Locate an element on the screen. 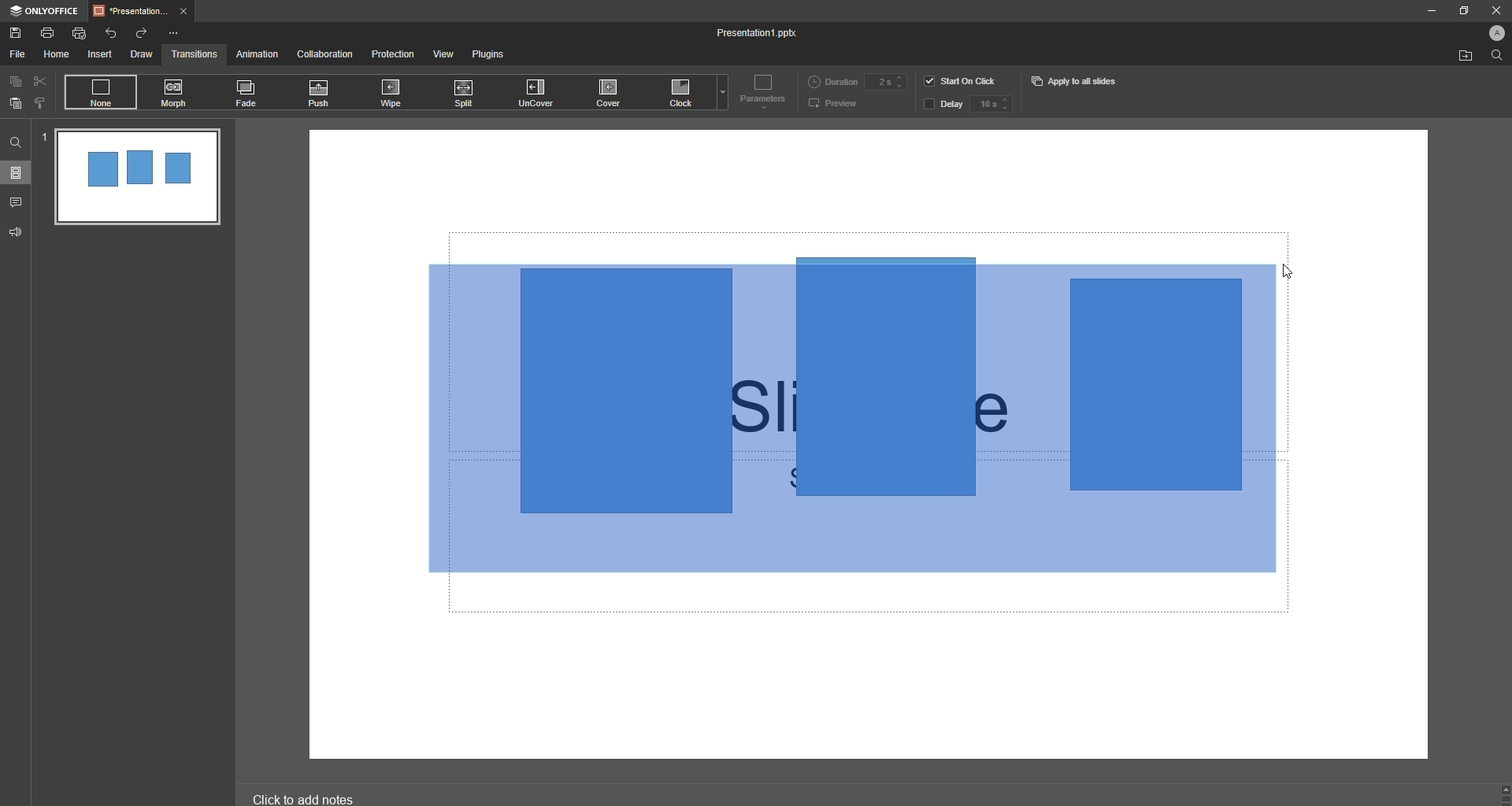  Print is located at coordinates (47, 32).